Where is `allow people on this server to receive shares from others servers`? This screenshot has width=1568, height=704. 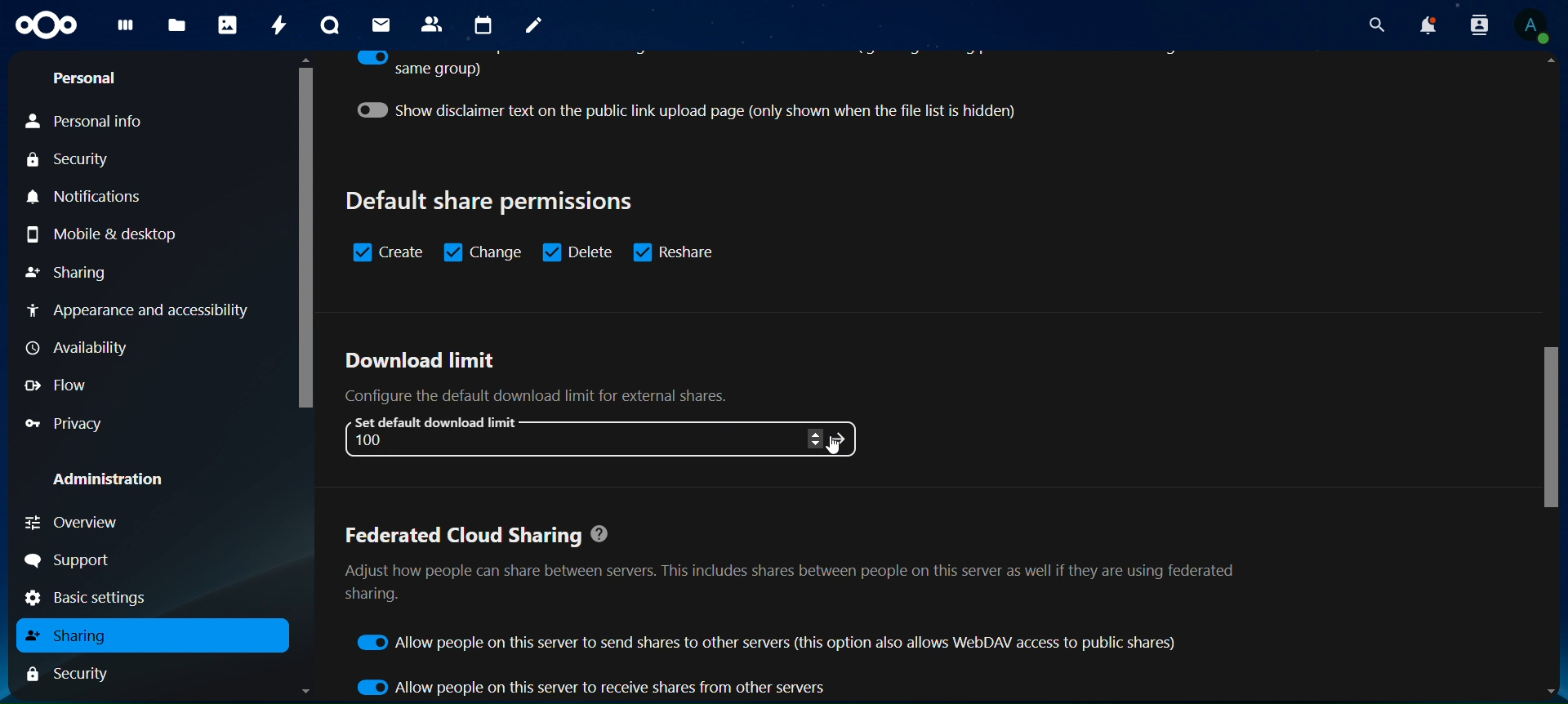 allow people on this server to receive shares from others servers is located at coordinates (593, 686).